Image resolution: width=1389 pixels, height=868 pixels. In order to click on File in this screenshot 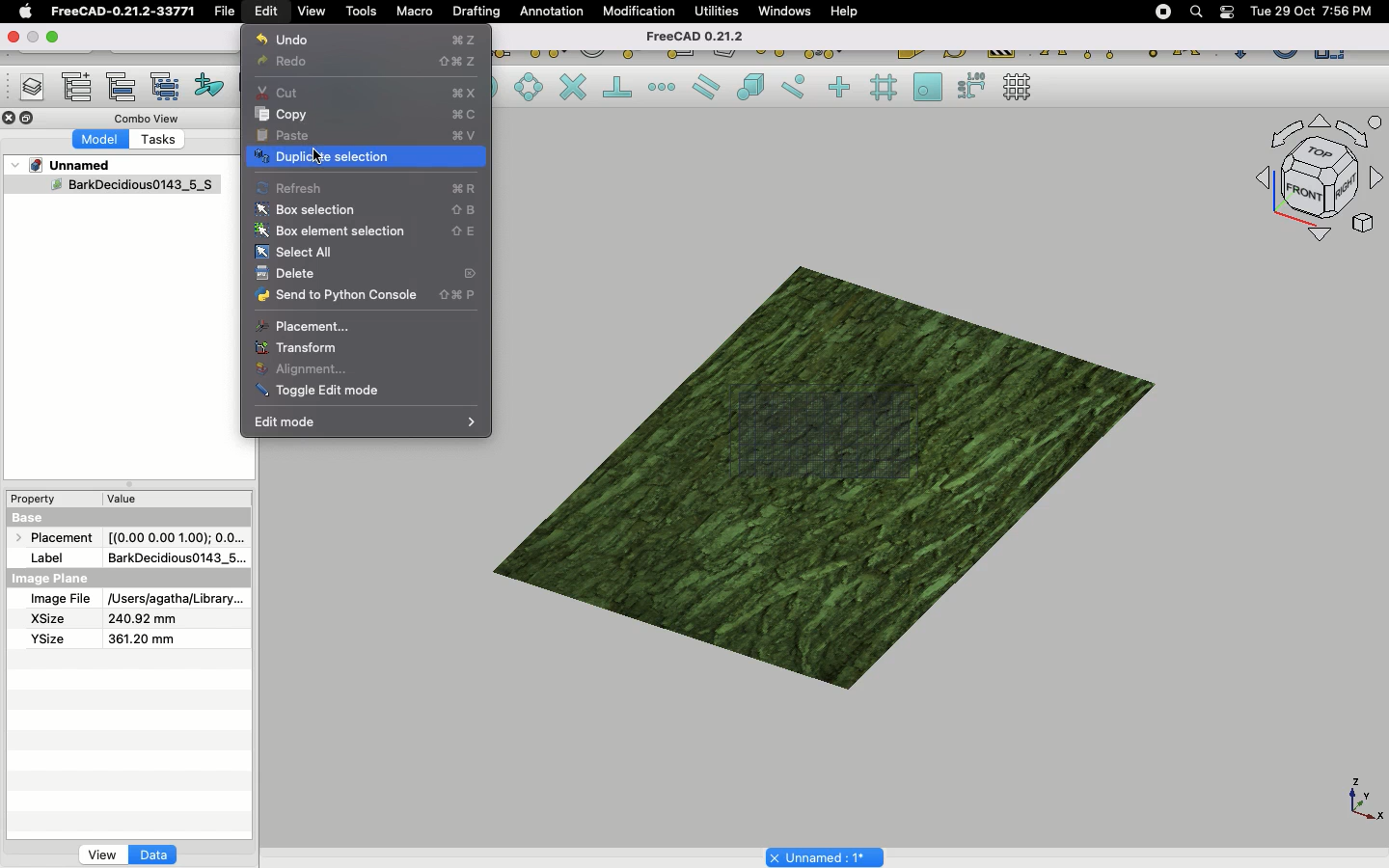, I will do `click(225, 12)`.